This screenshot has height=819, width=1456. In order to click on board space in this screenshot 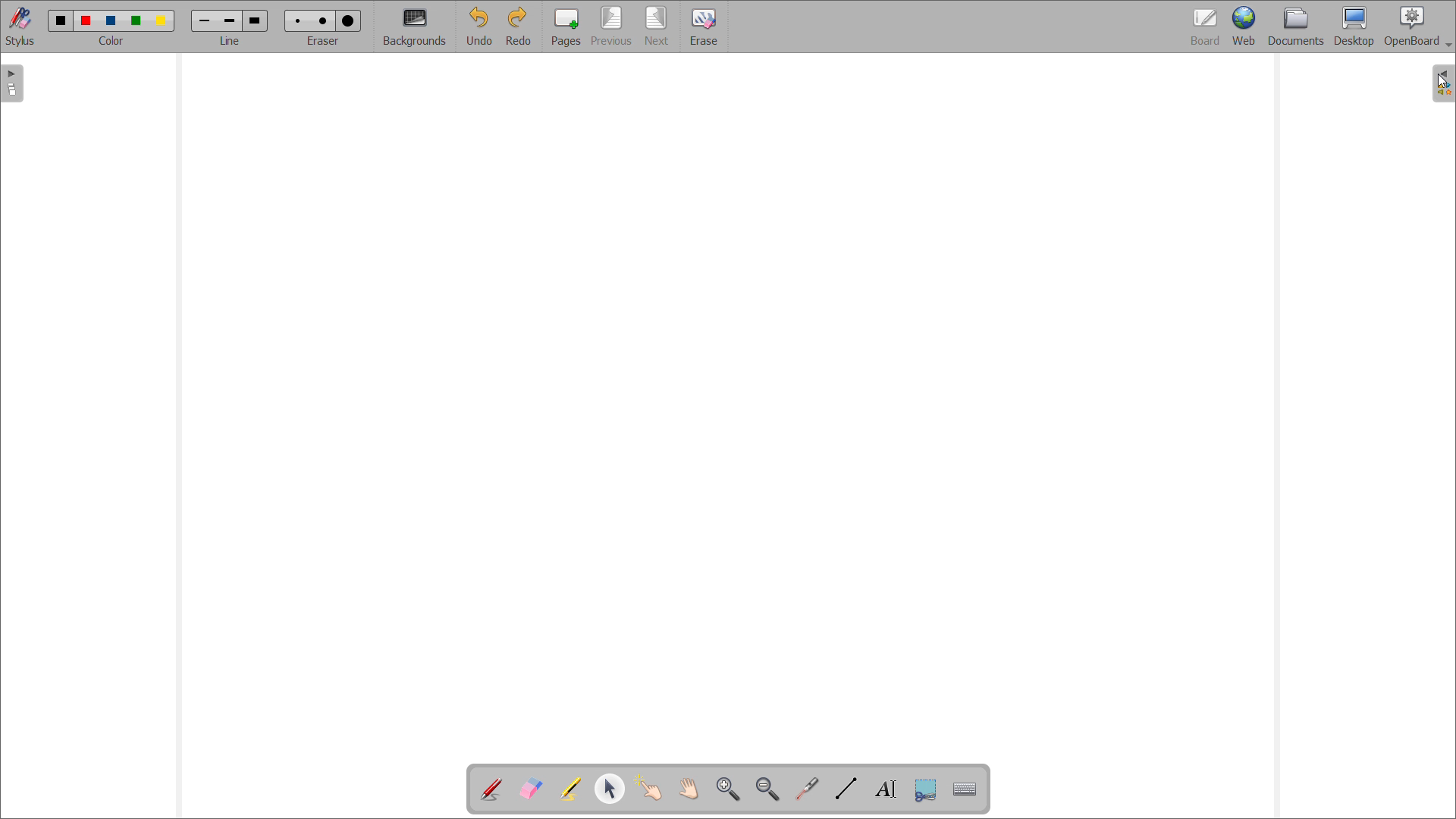, I will do `click(726, 406)`.